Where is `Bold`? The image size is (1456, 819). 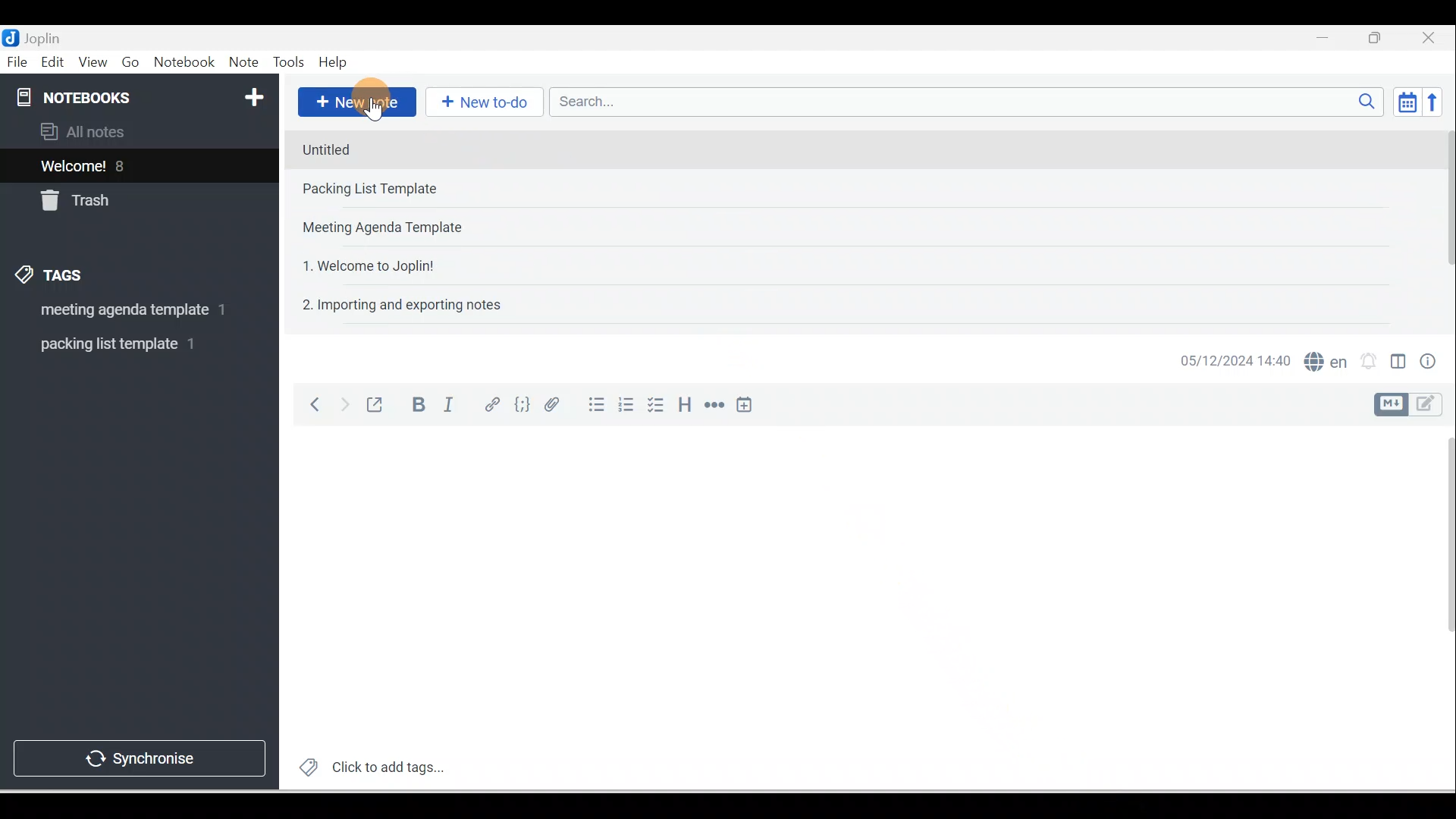 Bold is located at coordinates (416, 405).